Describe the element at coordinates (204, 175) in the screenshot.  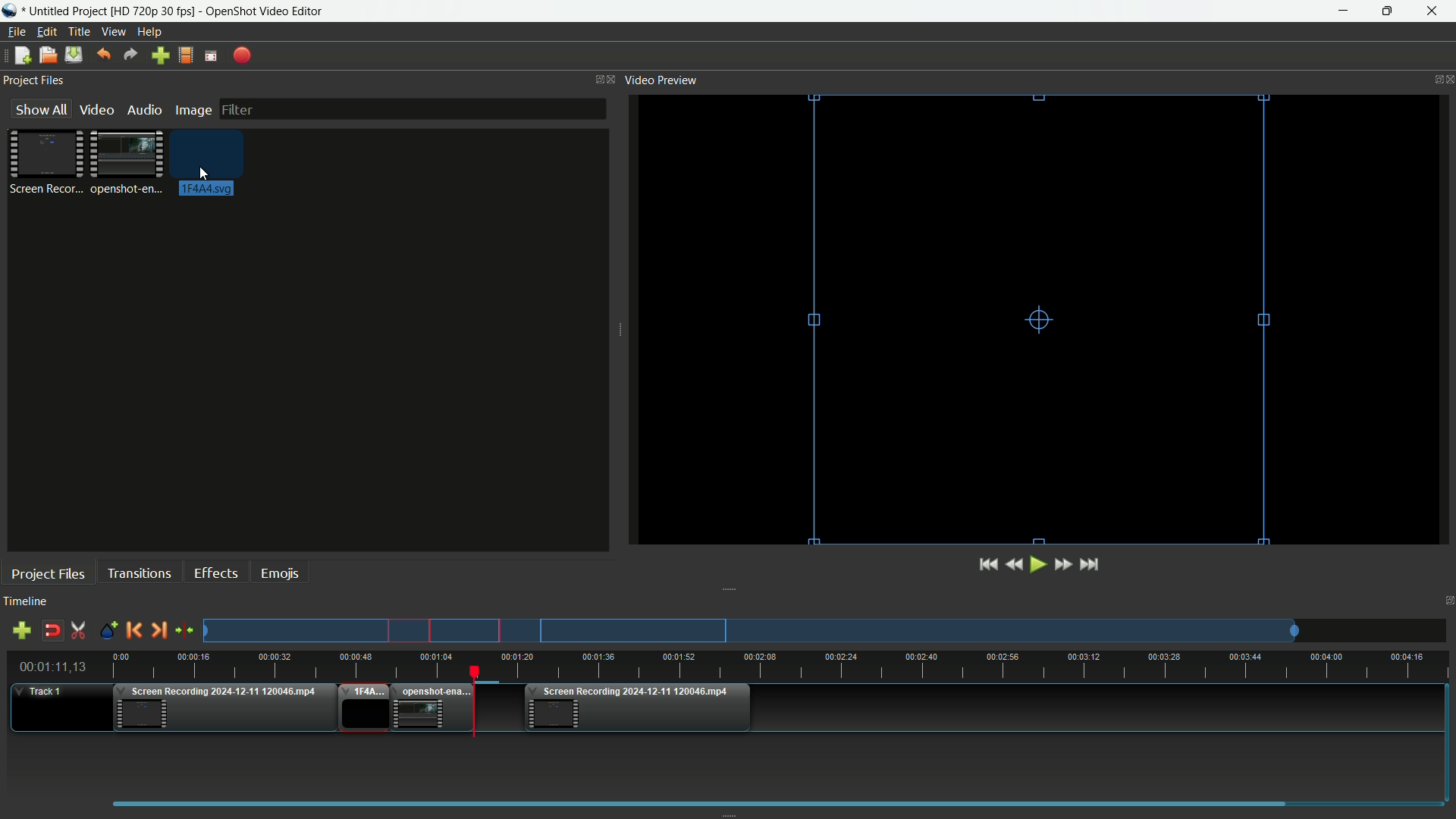
I see `cursor` at that location.